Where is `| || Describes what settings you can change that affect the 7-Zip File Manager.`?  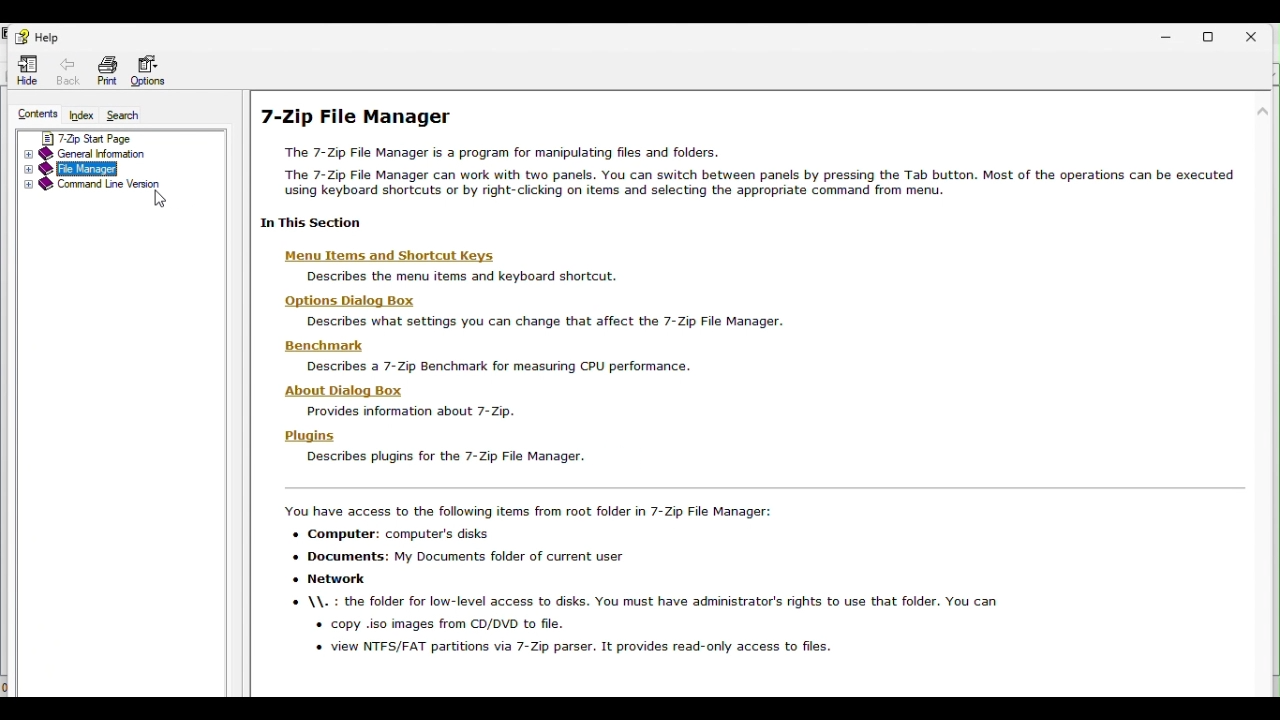
| || Describes what settings you can change that affect the 7-Zip File Manager. is located at coordinates (548, 321).